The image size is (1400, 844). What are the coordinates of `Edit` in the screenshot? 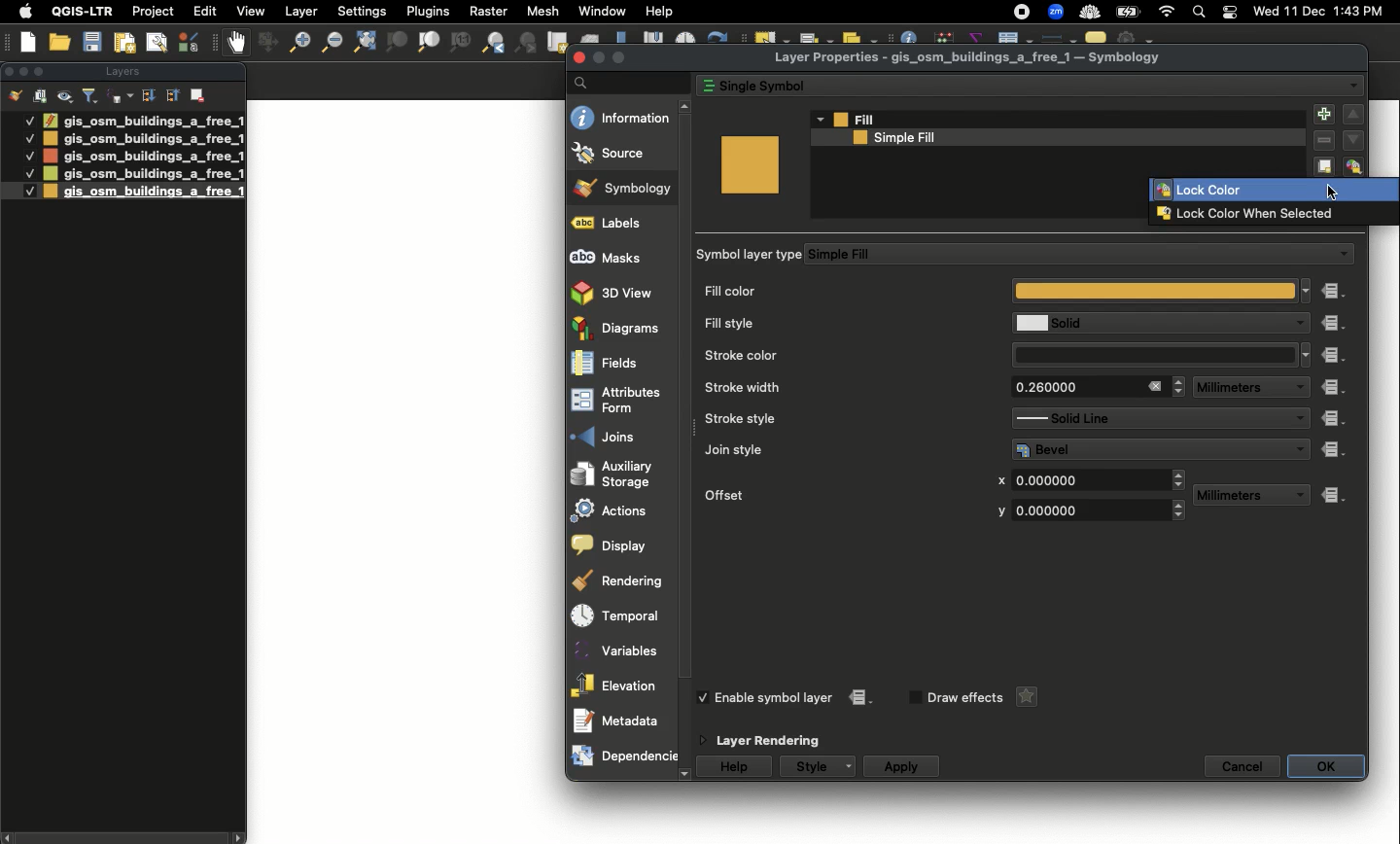 It's located at (205, 11).